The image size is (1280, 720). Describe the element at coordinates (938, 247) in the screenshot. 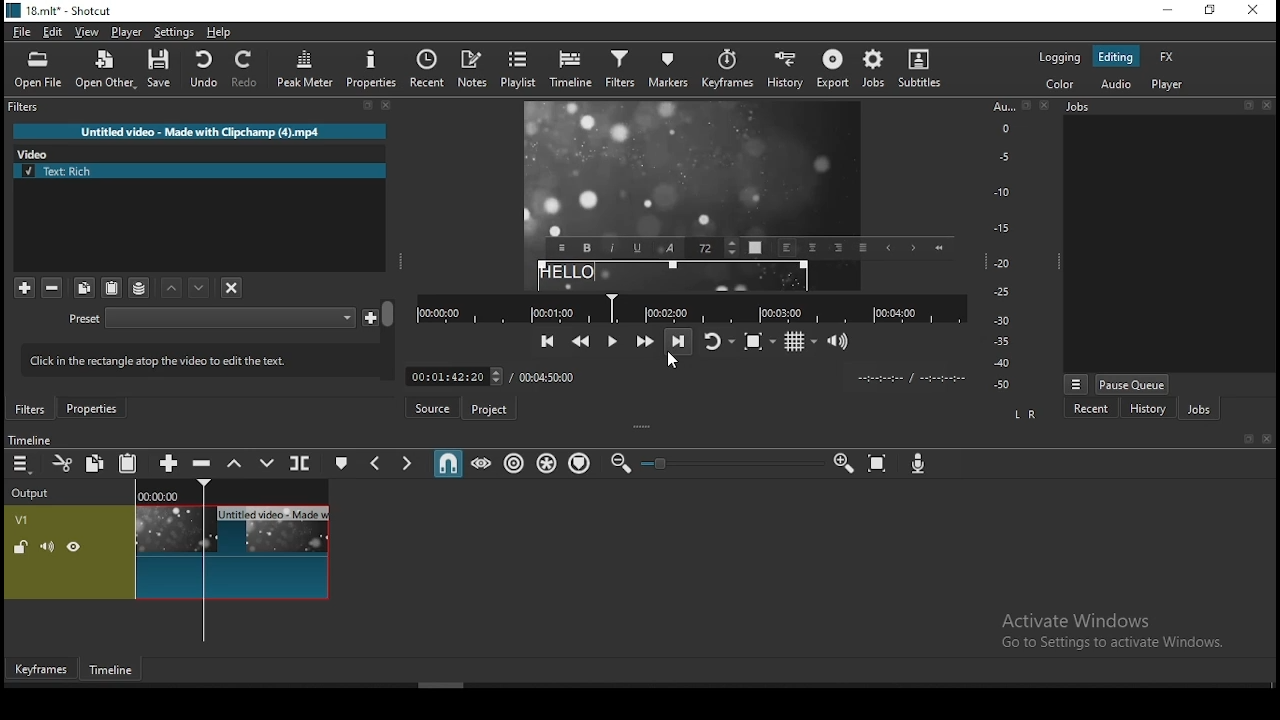

I see `Start` at that location.